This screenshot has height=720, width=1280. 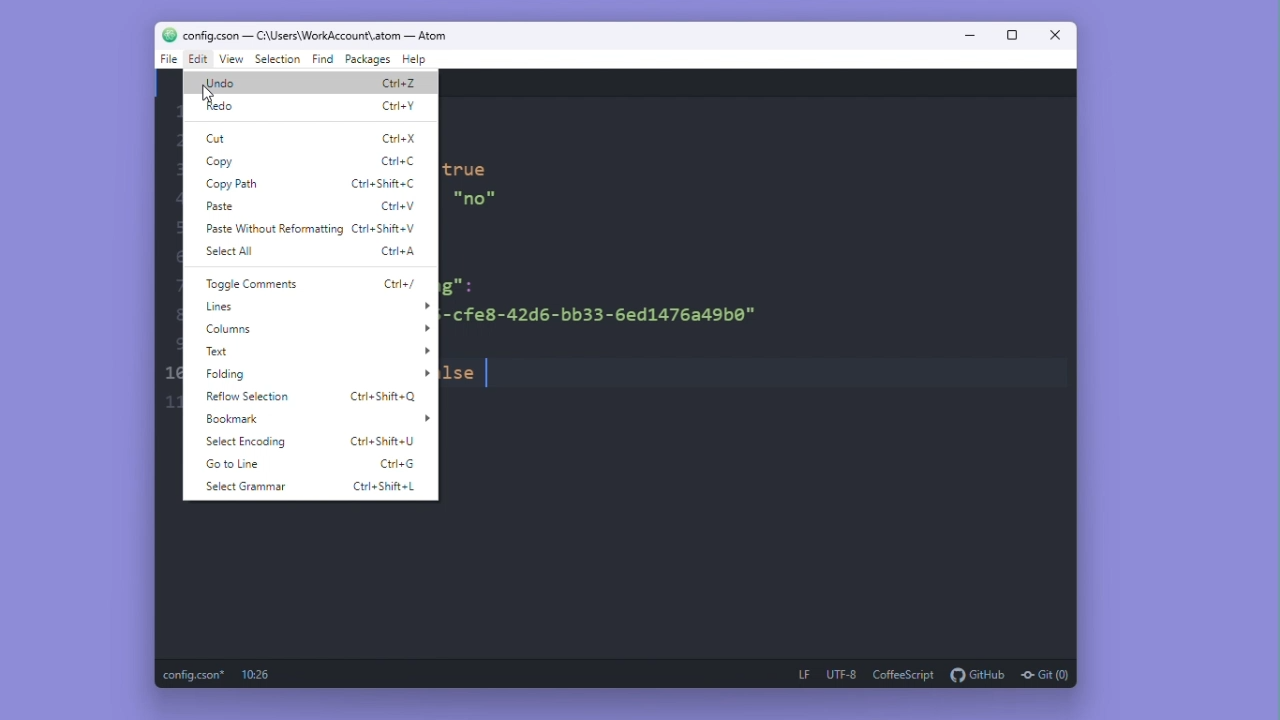 What do you see at coordinates (233, 60) in the screenshot?
I see `view` at bounding box center [233, 60].